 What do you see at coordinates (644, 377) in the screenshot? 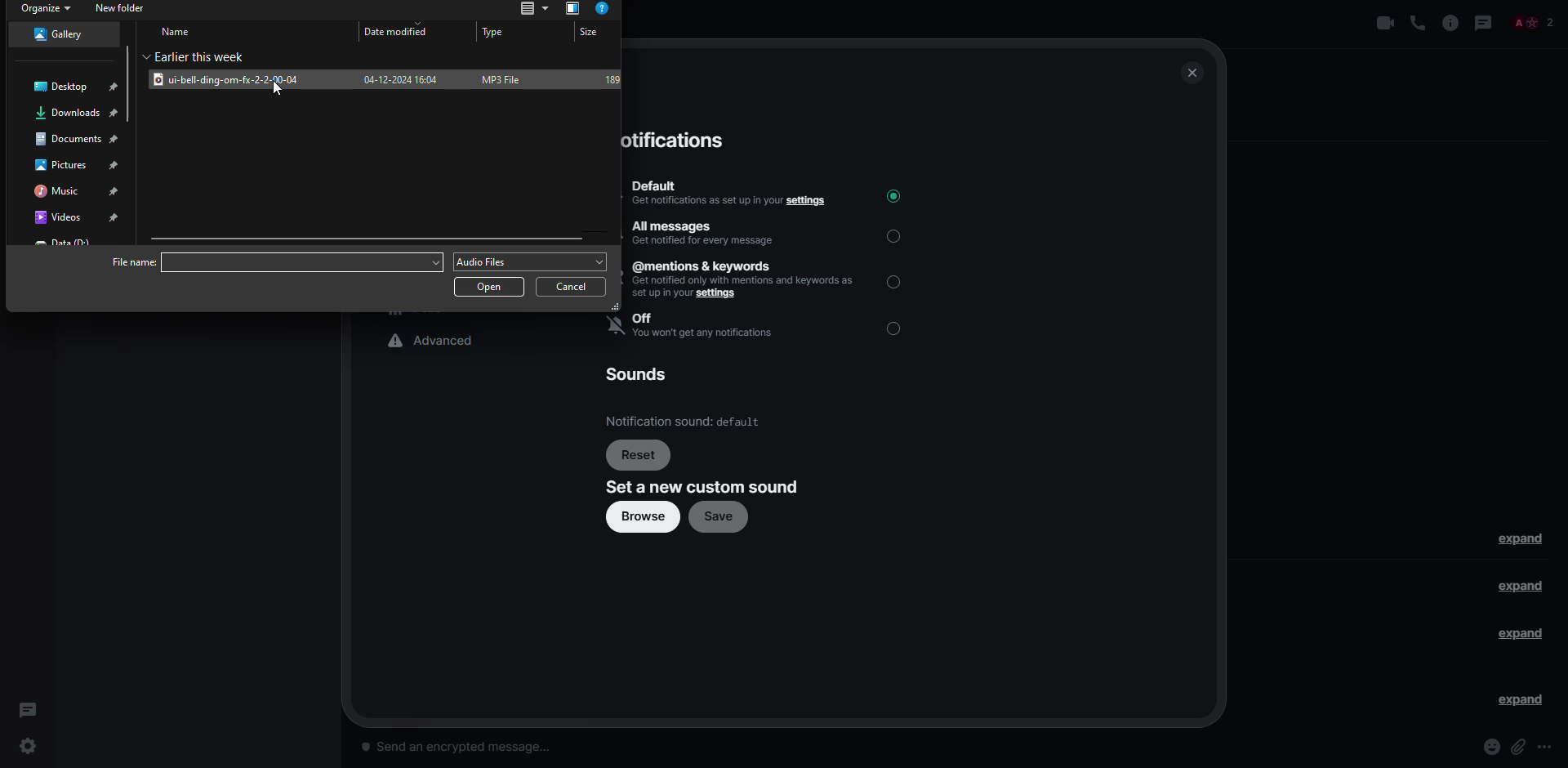
I see `sounds` at bounding box center [644, 377].